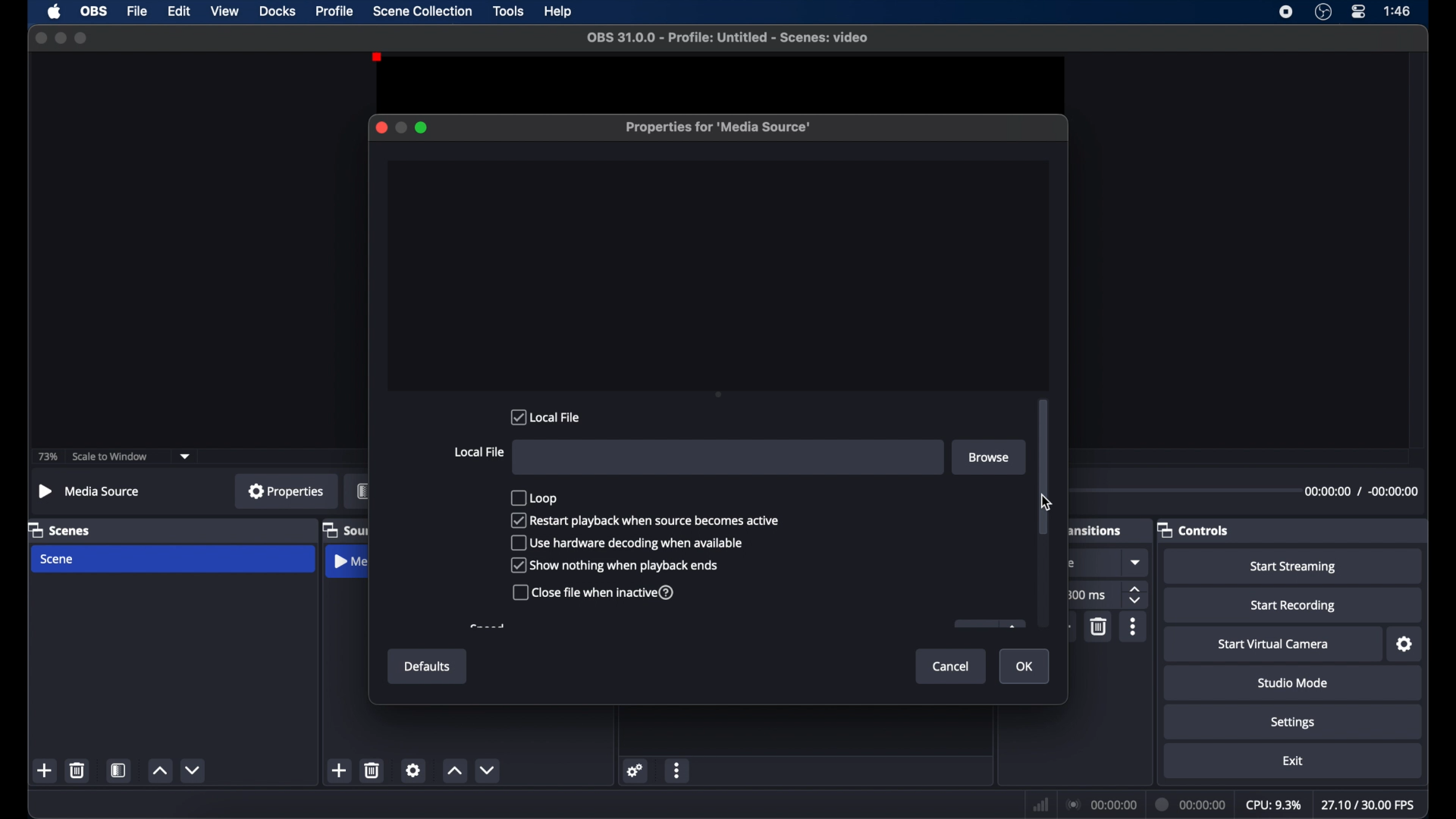  I want to click on start virtual camera, so click(1277, 645).